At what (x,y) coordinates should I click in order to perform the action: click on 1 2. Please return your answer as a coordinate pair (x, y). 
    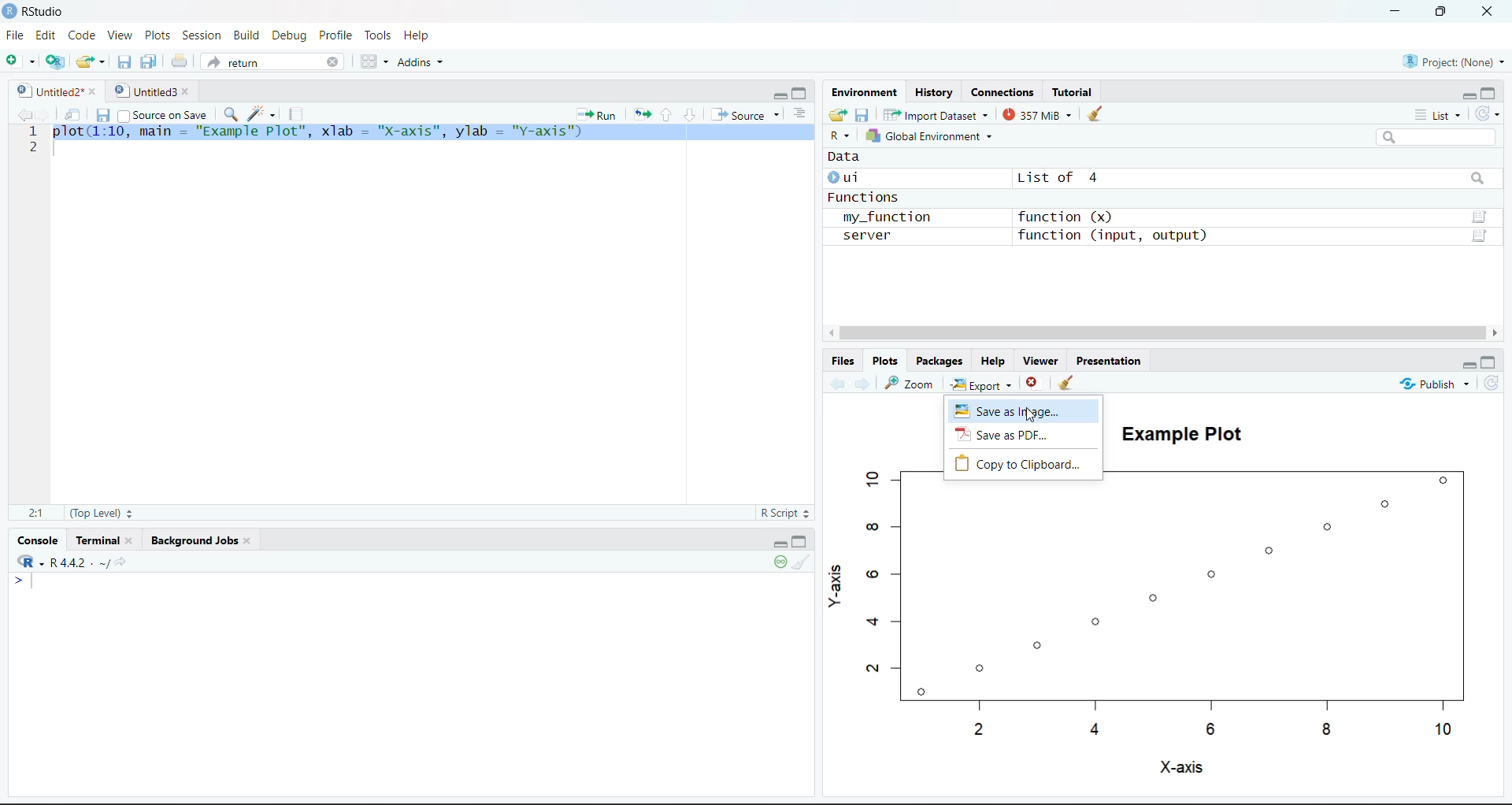
    Looking at the image, I should click on (33, 141).